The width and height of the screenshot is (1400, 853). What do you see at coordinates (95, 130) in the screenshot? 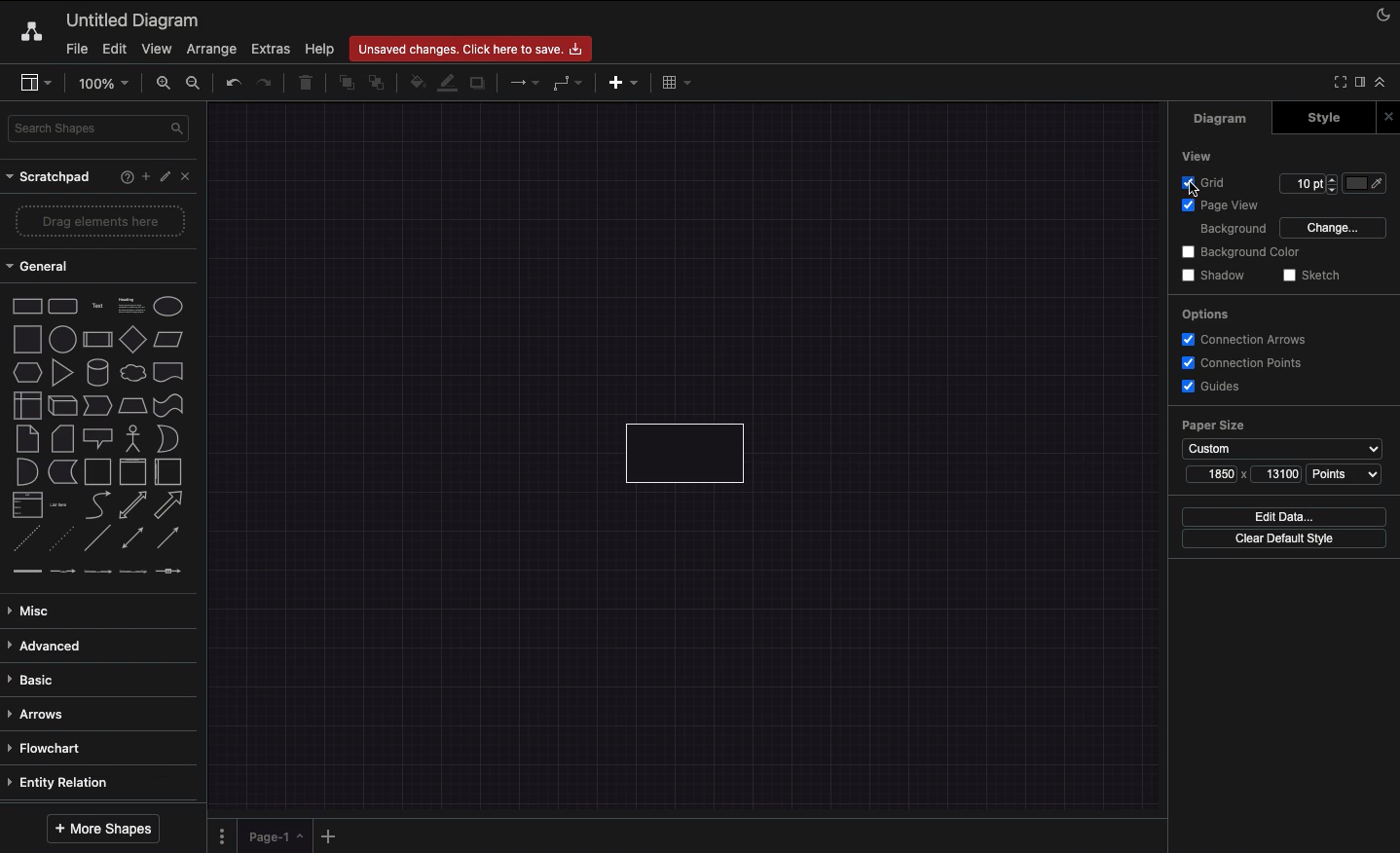
I see `Search shape` at bounding box center [95, 130].